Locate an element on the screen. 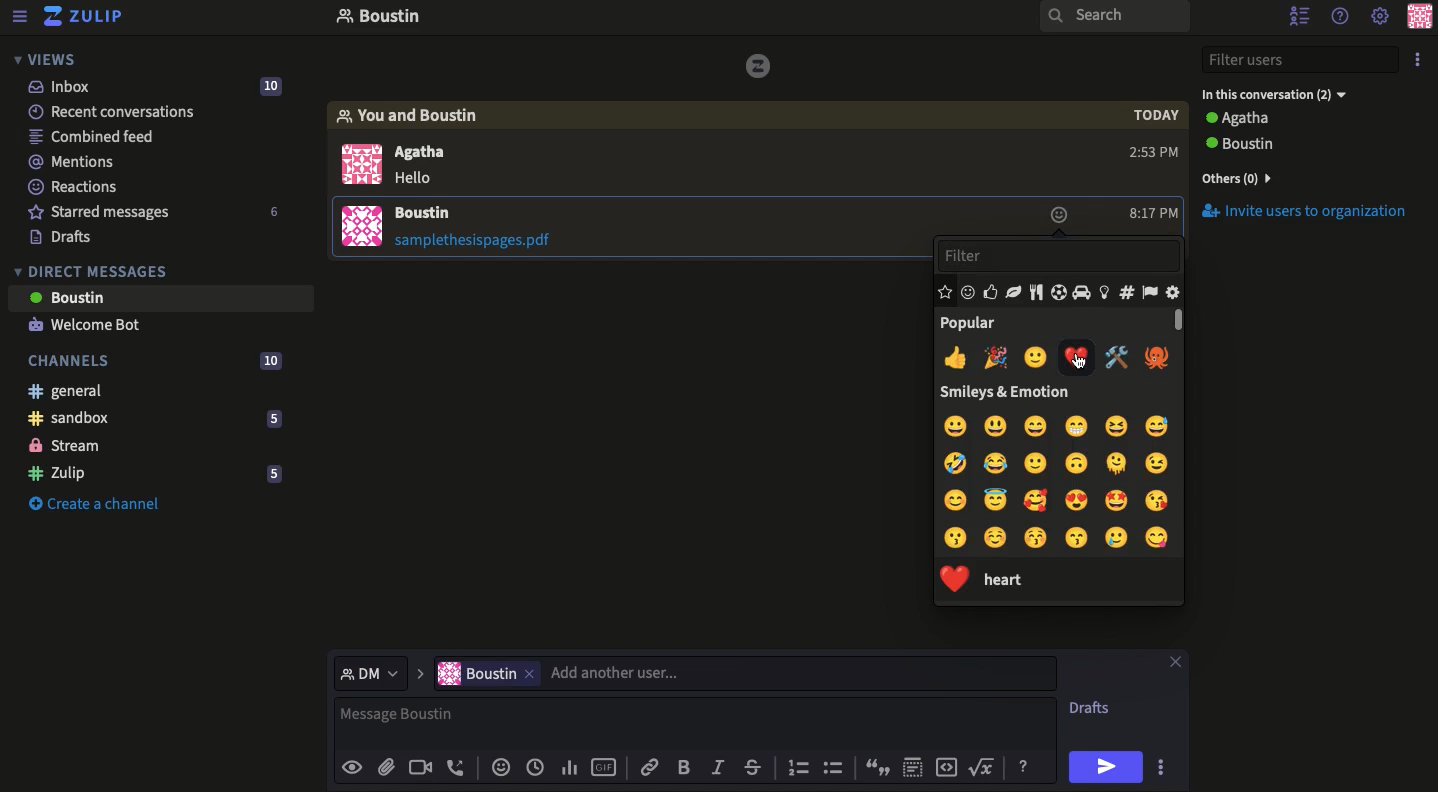 This screenshot has width=1438, height=792. Filter is located at coordinates (1061, 254).